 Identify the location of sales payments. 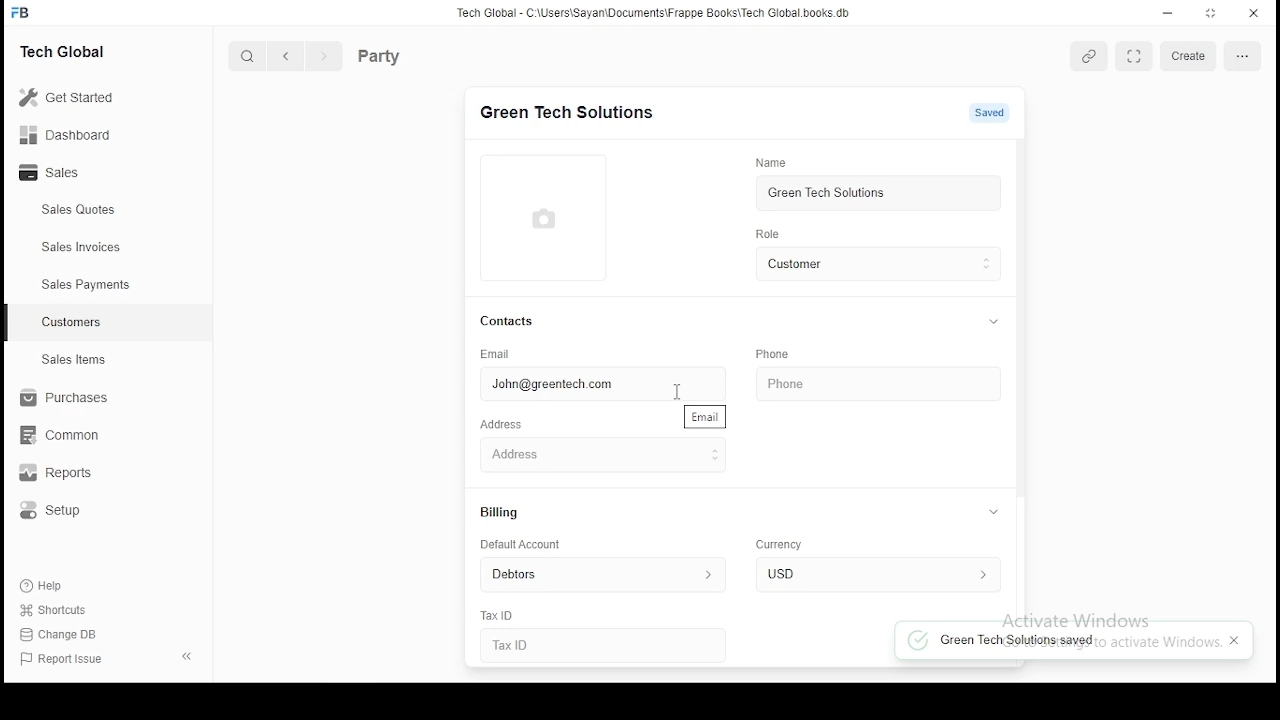
(82, 285).